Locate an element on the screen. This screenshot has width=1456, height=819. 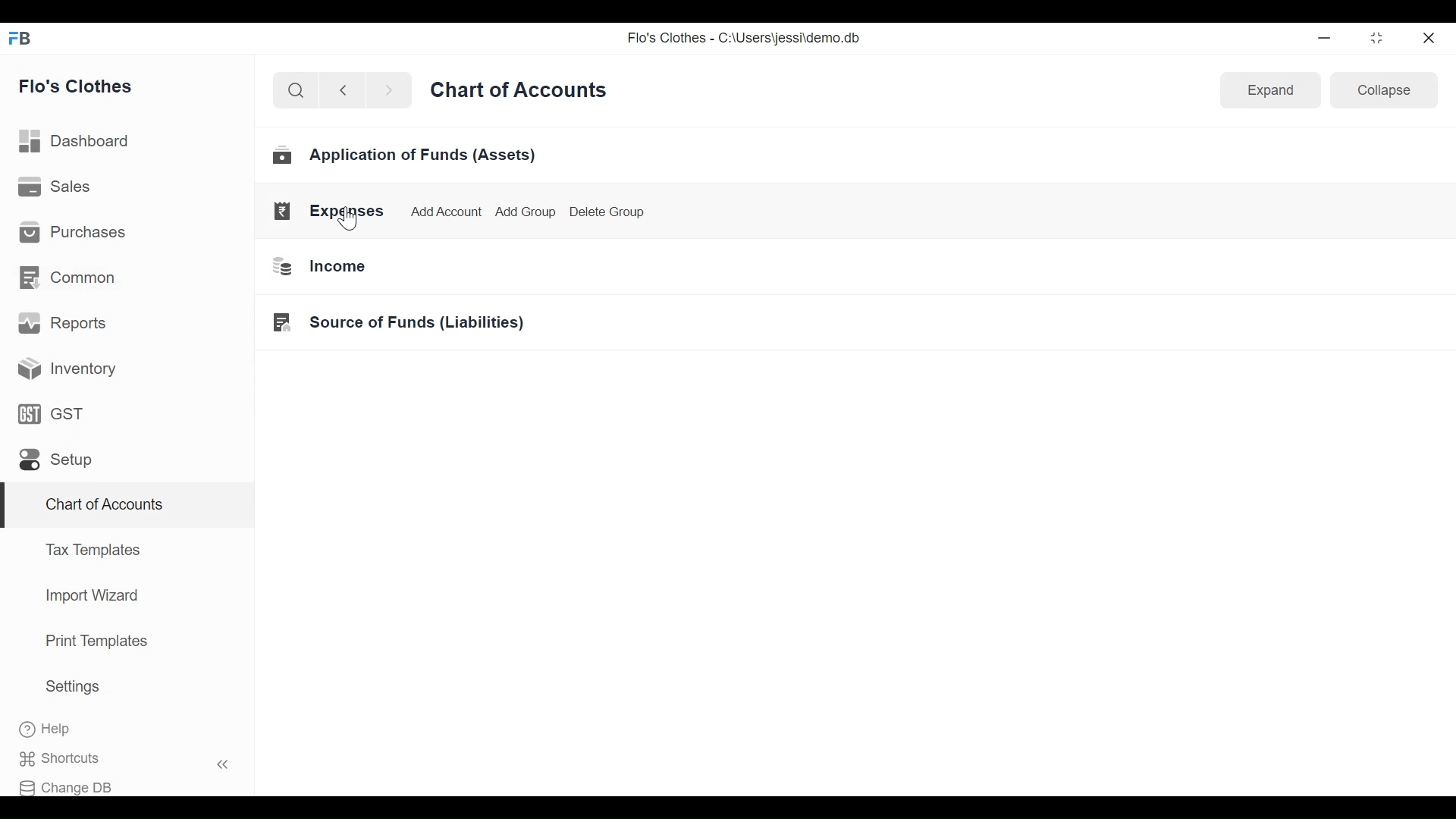
Cursor is located at coordinates (352, 218).